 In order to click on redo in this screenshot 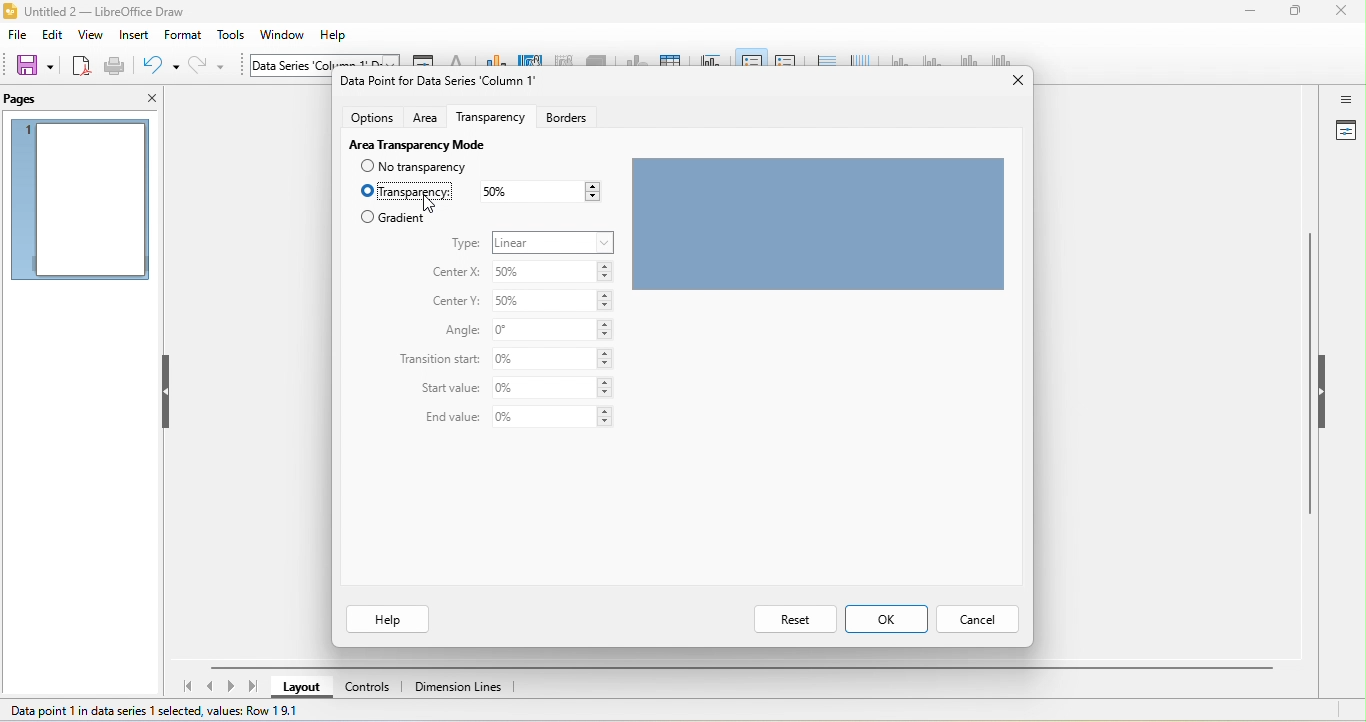, I will do `click(210, 66)`.